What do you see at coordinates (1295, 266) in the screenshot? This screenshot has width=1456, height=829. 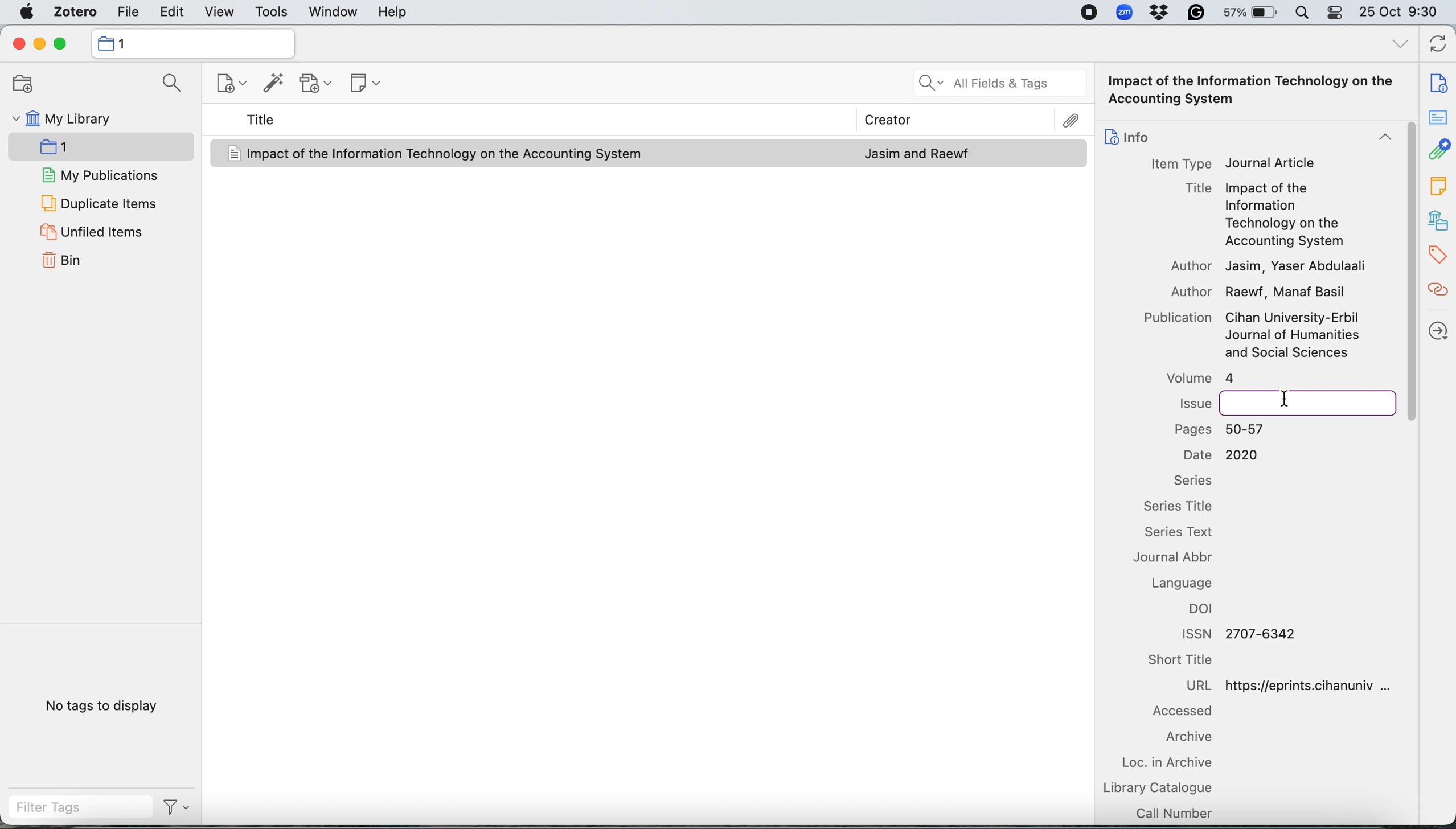 I see `Jasim, Yaser Abdulaall` at bounding box center [1295, 266].